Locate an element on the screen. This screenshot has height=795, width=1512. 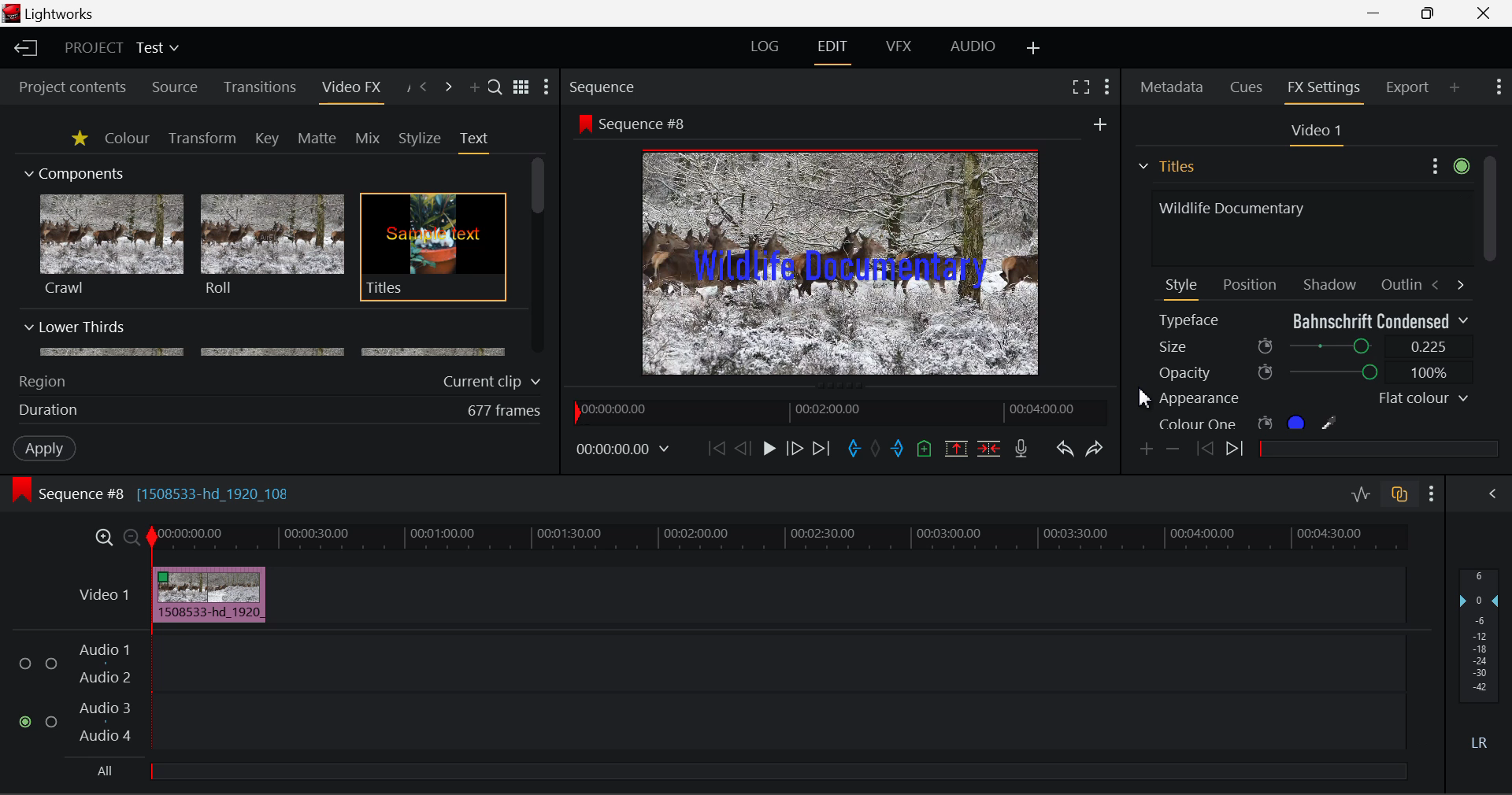
Show Settings is located at coordinates (1109, 87).